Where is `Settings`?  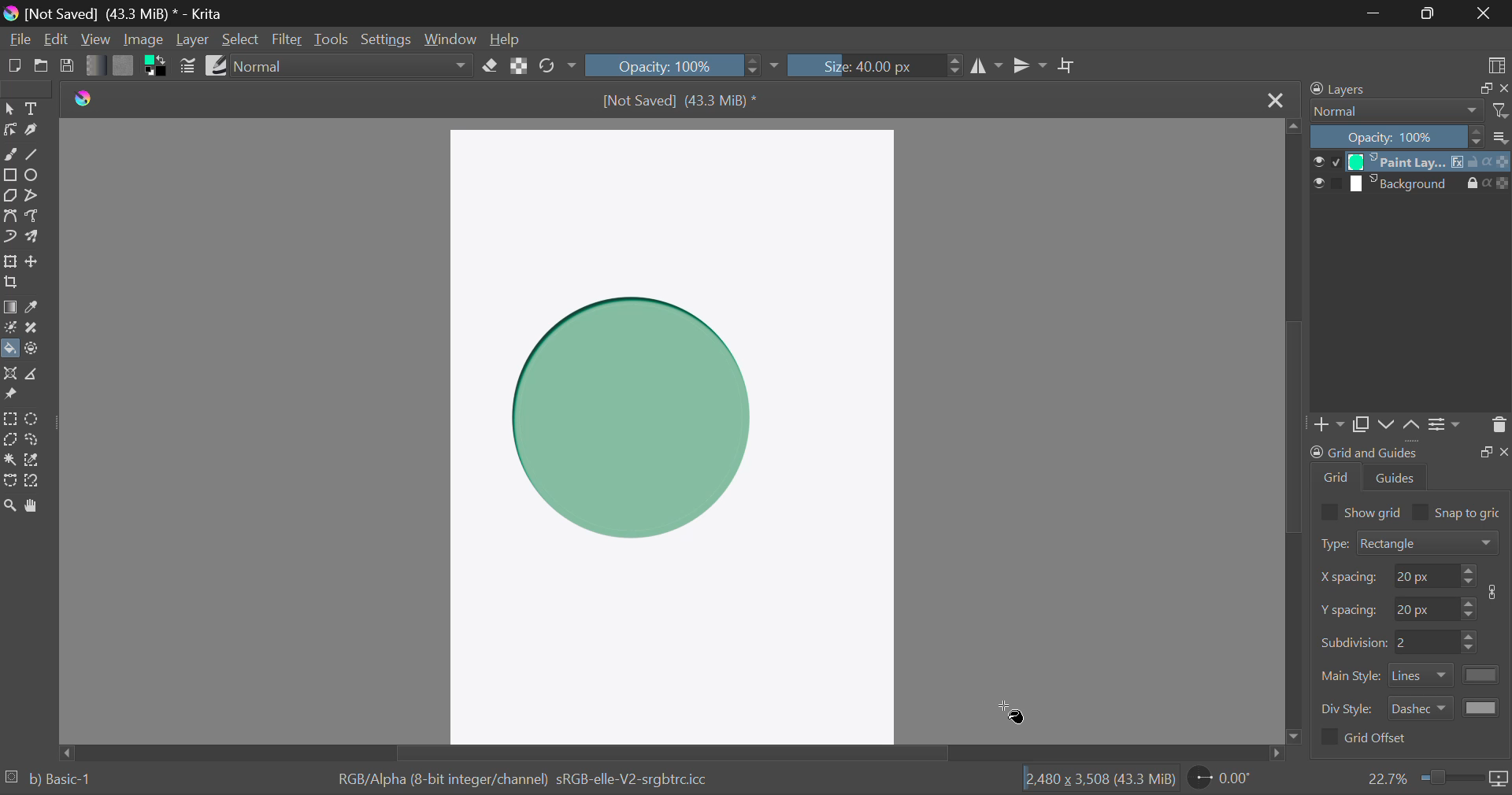 Settings is located at coordinates (1447, 429).